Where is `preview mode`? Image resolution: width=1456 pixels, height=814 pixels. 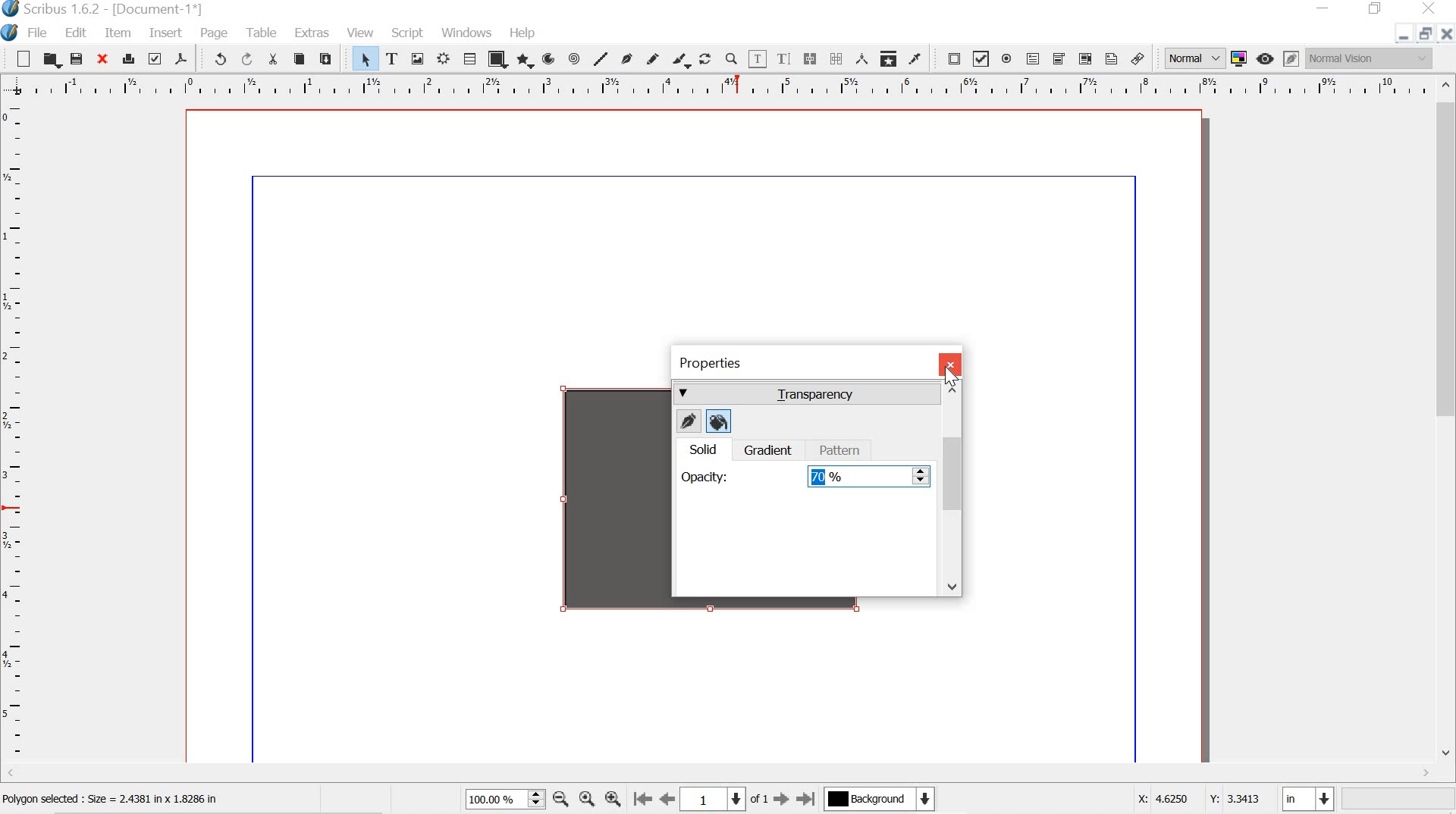 preview mode is located at coordinates (1263, 58).